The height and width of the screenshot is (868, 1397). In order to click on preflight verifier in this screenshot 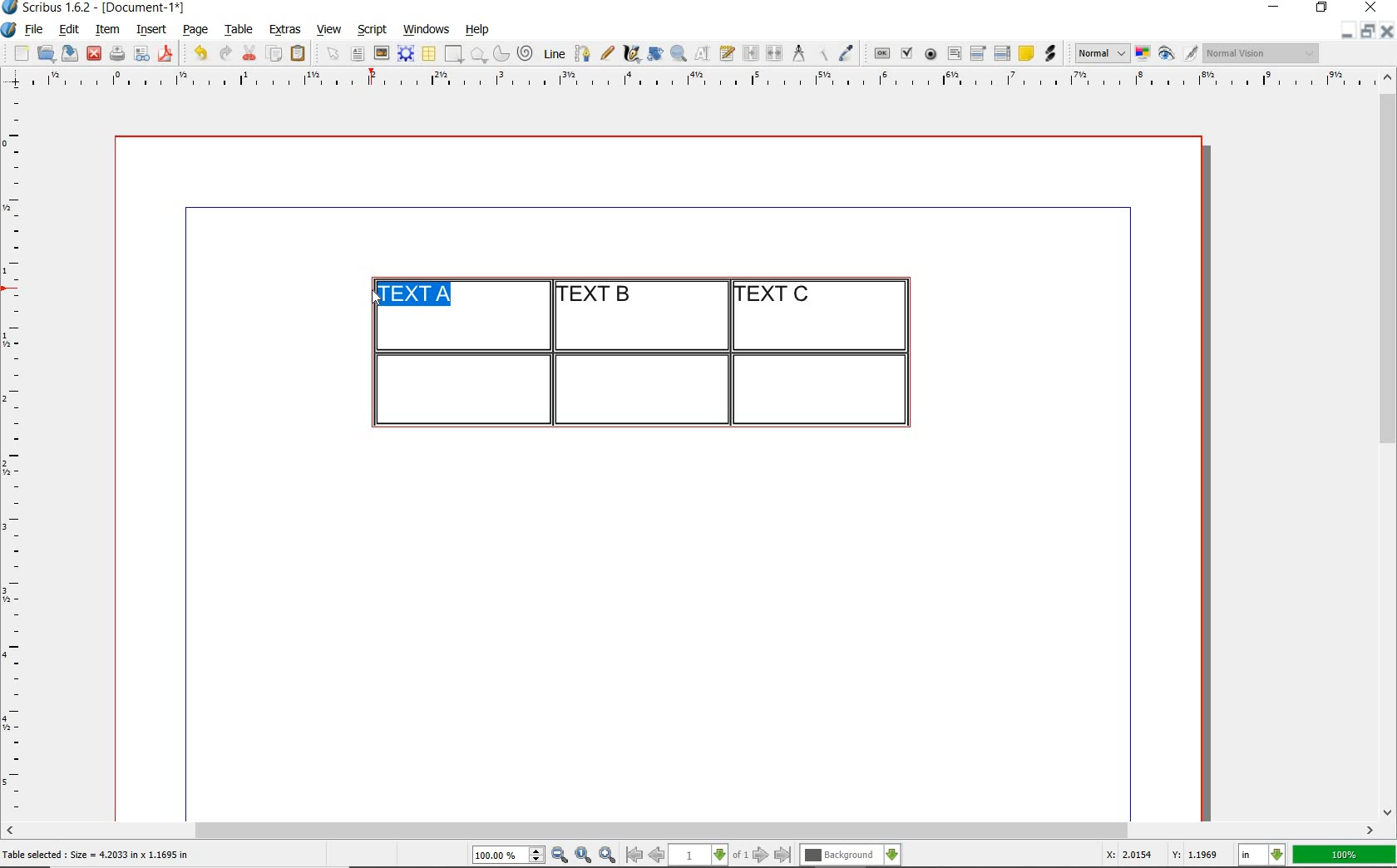, I will do `click(142, 55)`.